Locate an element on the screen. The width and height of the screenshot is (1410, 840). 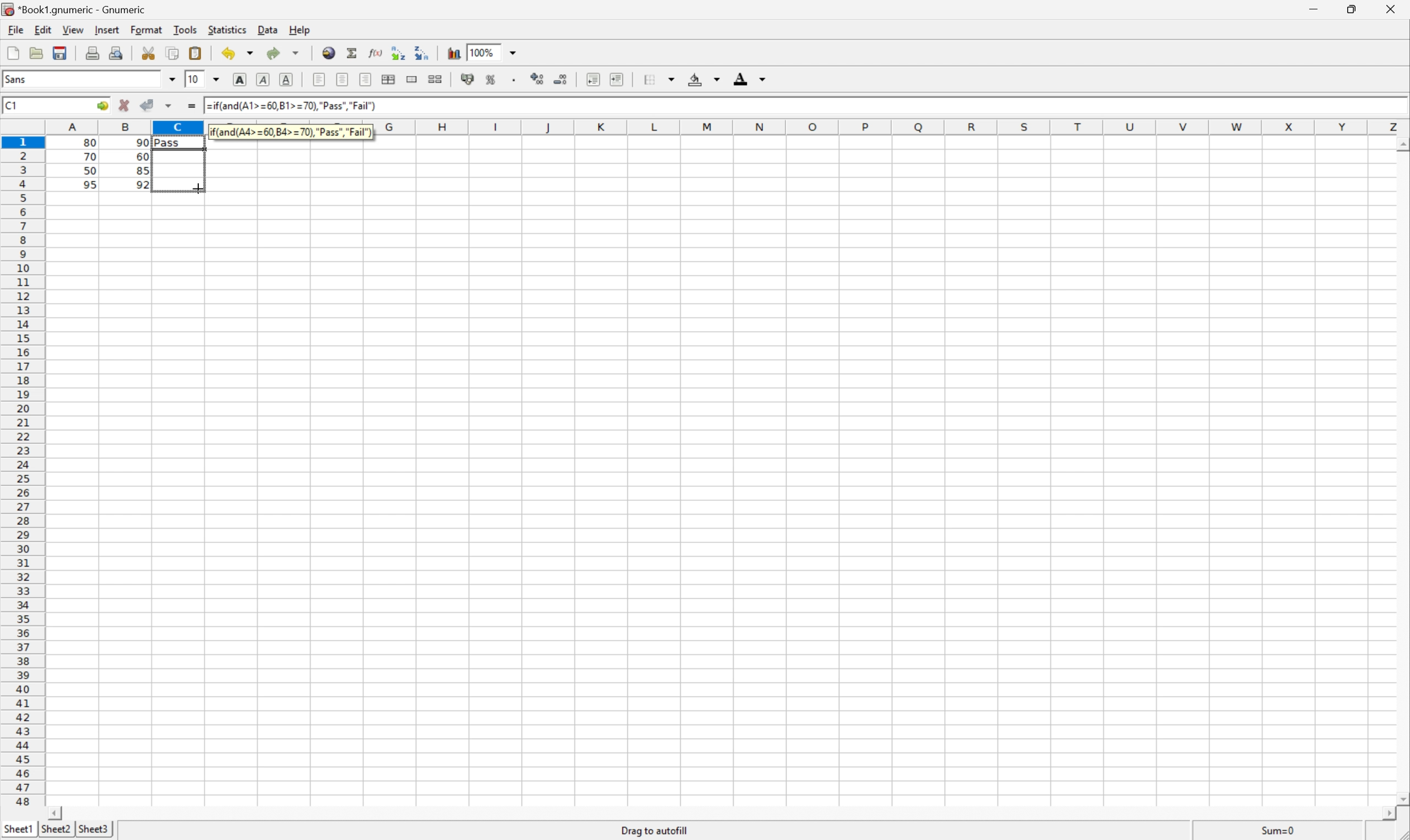
Close is located at coordinates (1392, 8).